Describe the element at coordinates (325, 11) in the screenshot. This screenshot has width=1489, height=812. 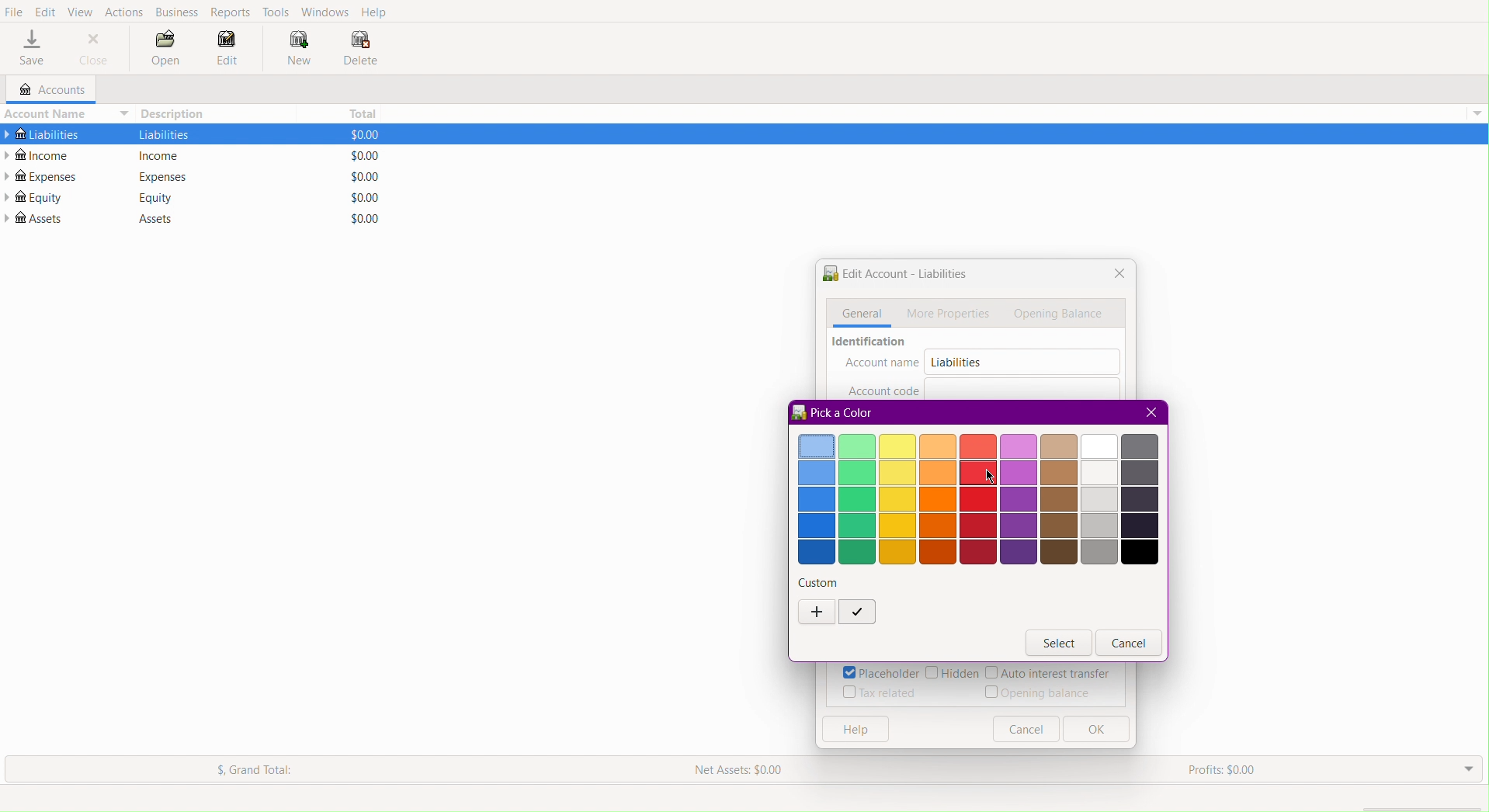
I see `Windows` at that location.